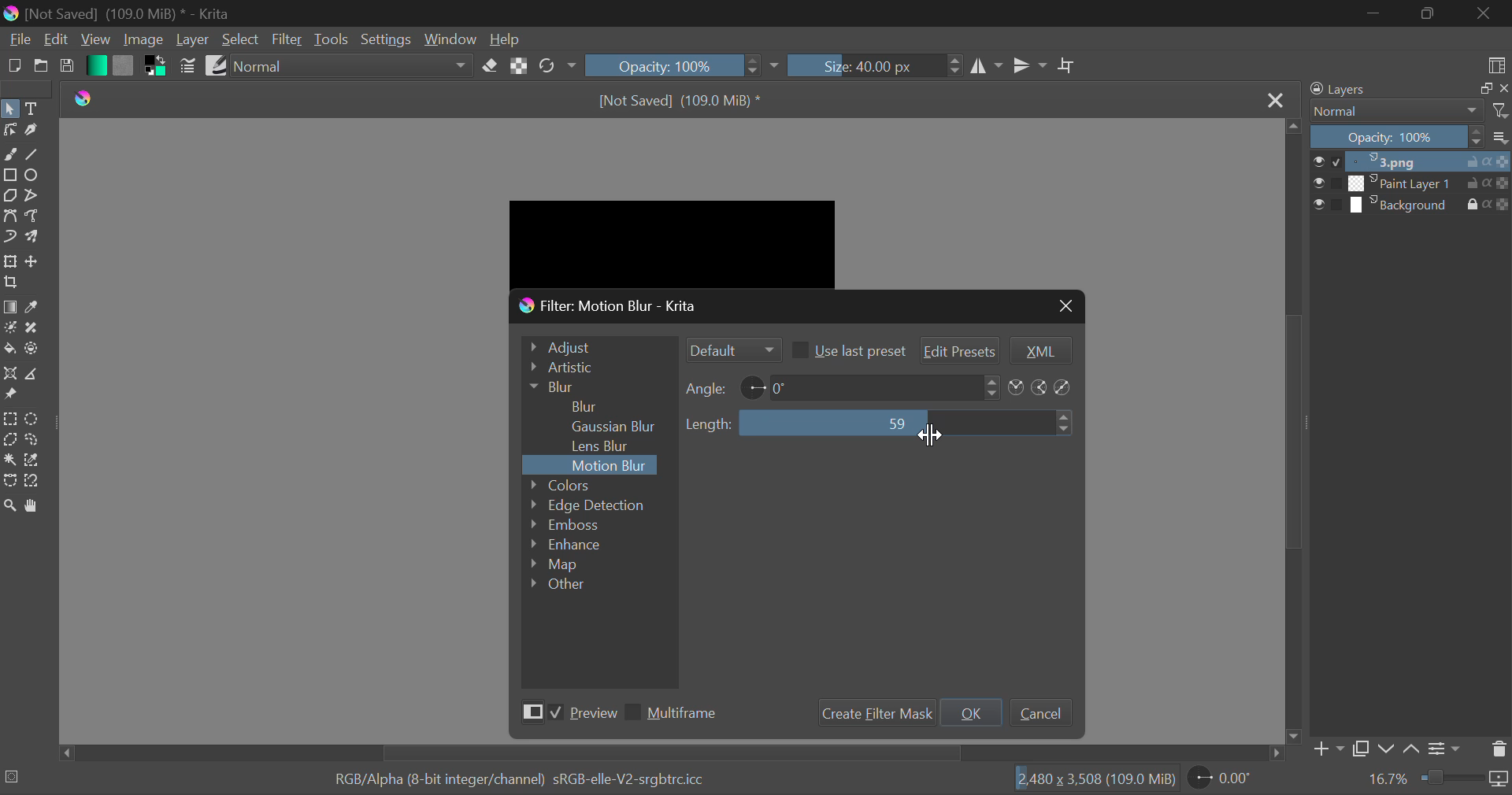 The image size is (1512, 795). Describe the element at coordinates (563, 524) in the screenshot. I see `Emboss` at that location.